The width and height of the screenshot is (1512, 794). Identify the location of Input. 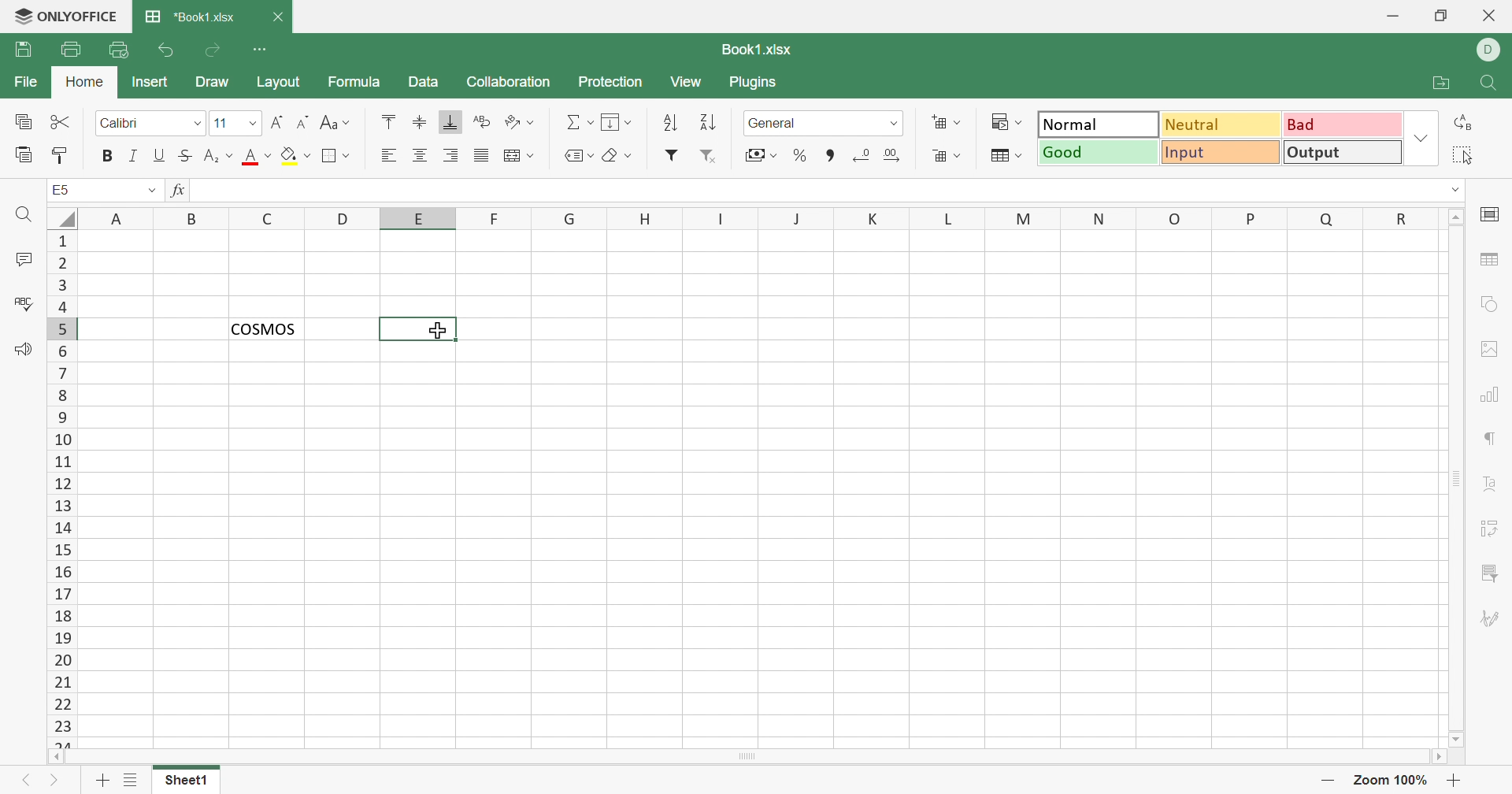
(1219, 153).